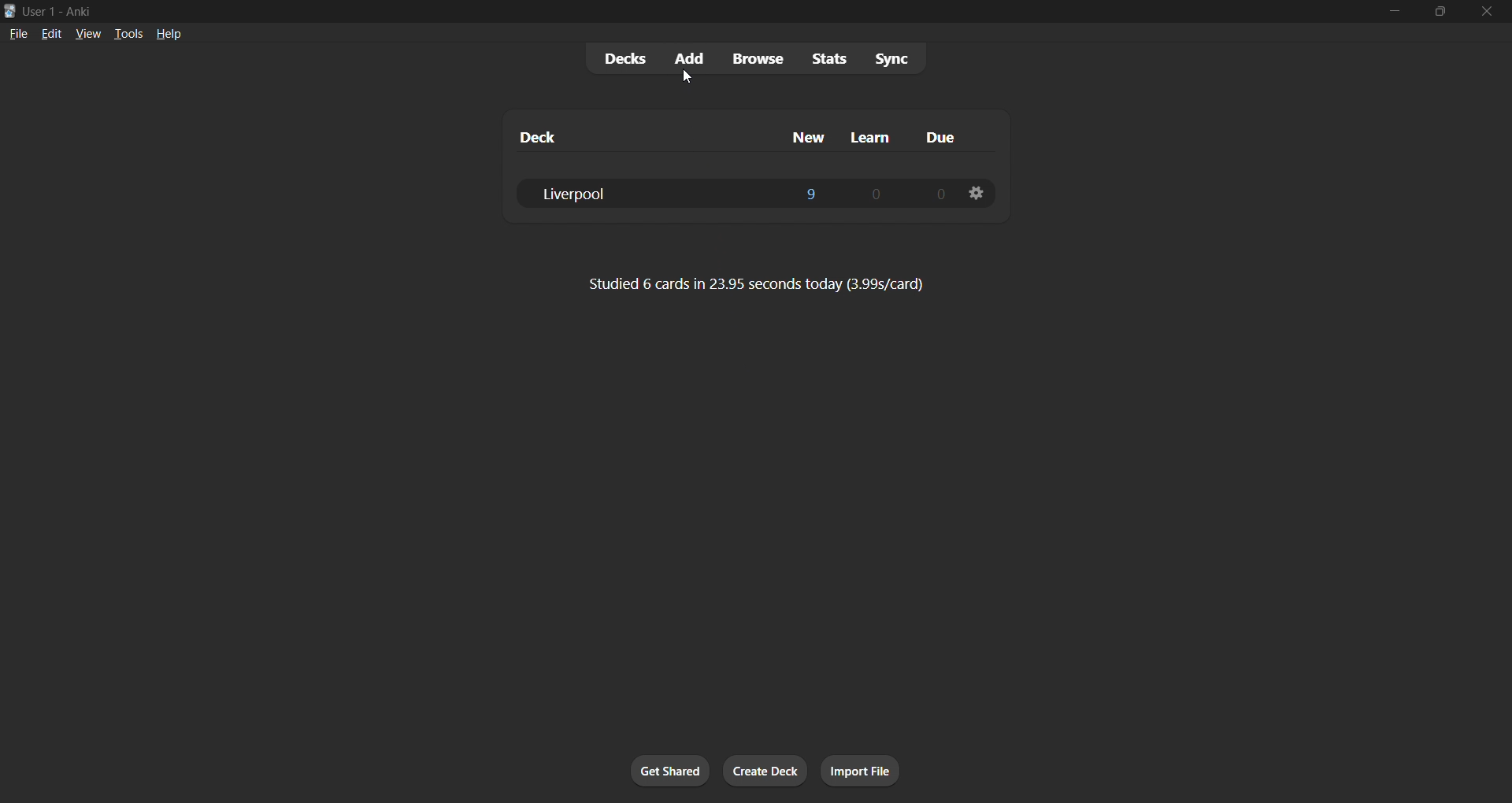 The height and width of the screenshot is (803, 1512). Describe the element at coordinates (690, 80) in the screenshot. I see `cursor` at that location.